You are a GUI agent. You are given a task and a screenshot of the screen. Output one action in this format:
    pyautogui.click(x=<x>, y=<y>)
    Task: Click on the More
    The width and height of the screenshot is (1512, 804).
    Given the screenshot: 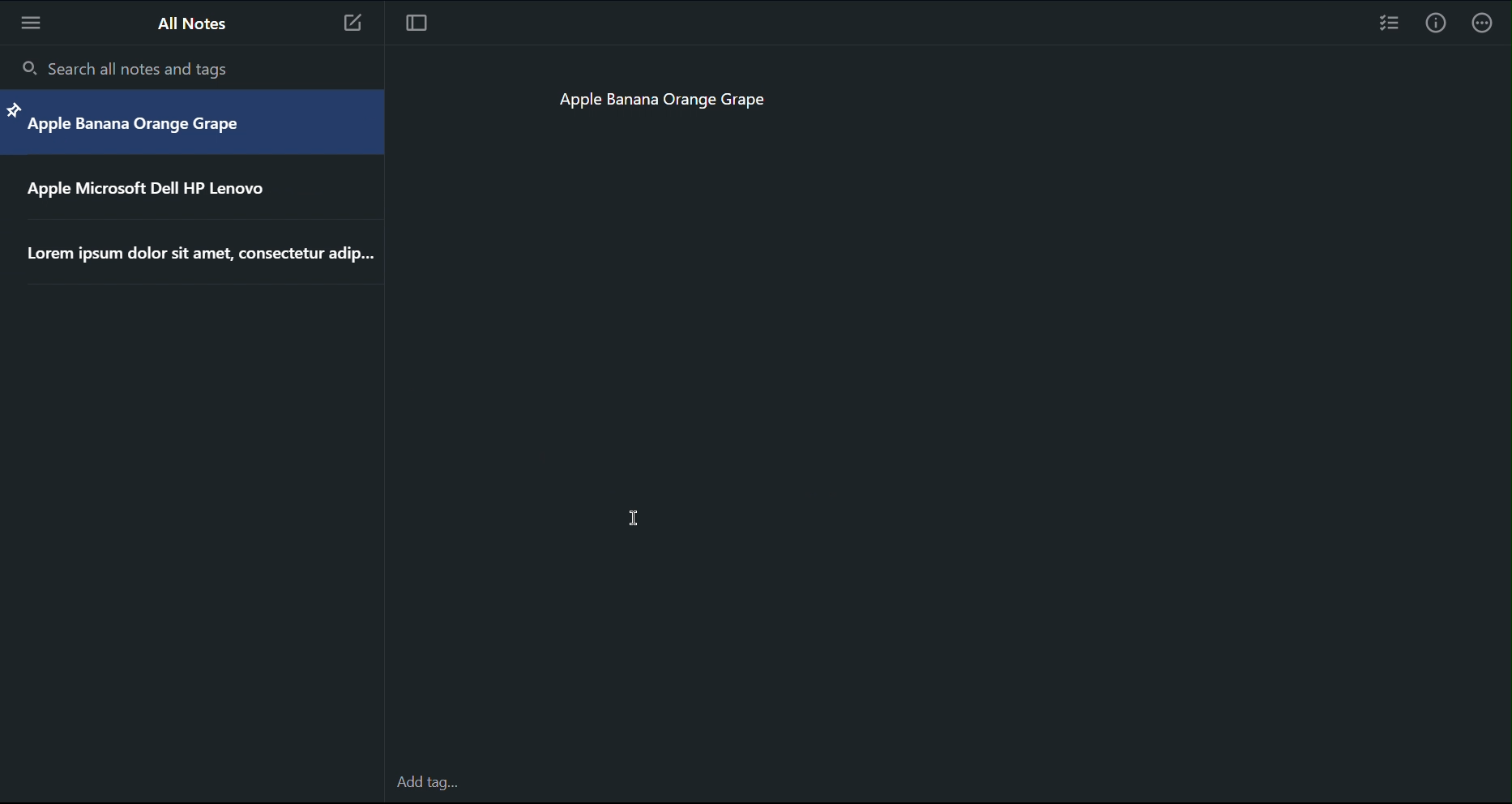 What is the action you would take?
    pyautogui.click(x=28, y=22)
    